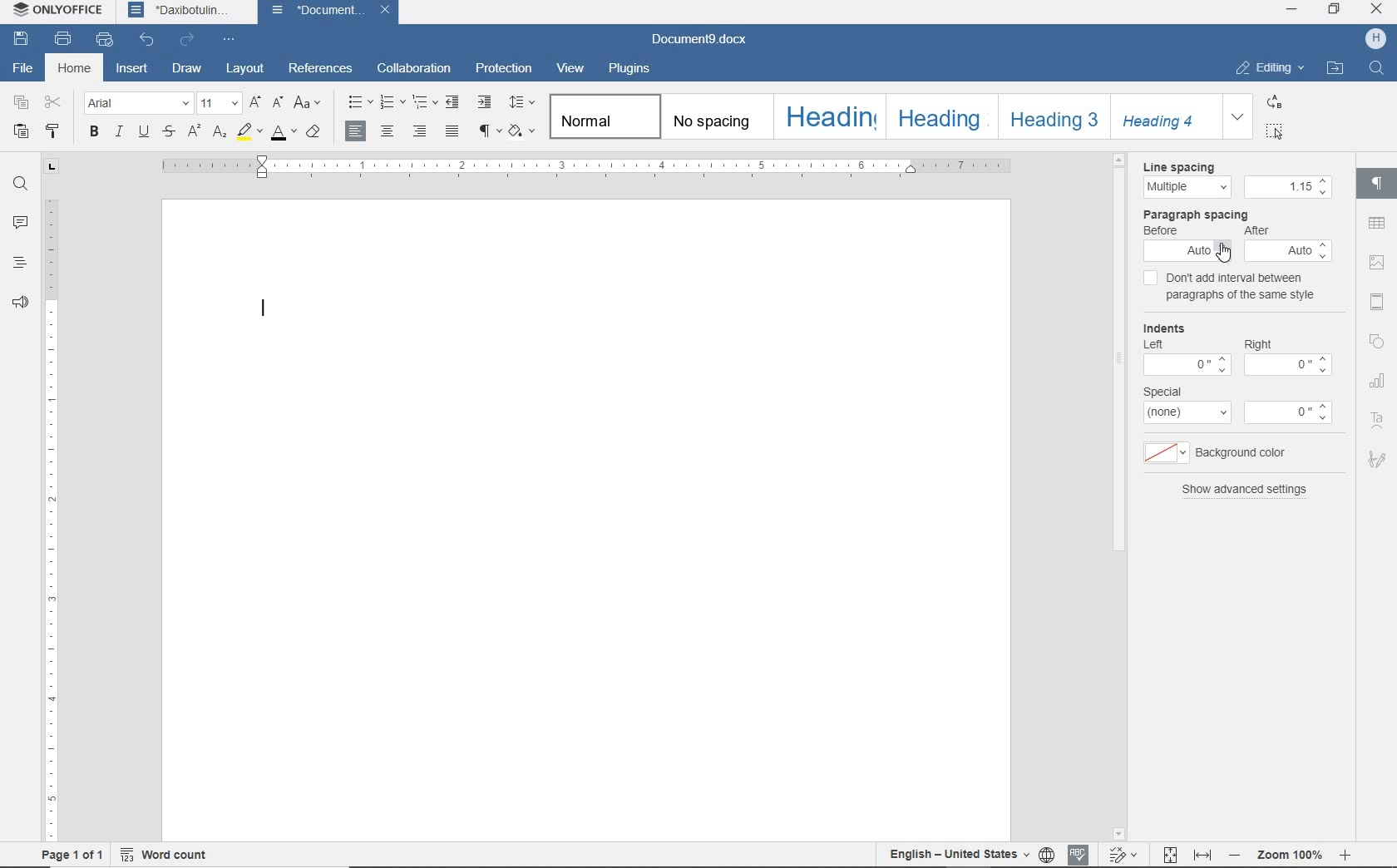 Image resolution: width=1397 pixels, height=868 pixels. What do you see at coordinates (21, 223) in the screenshot?
I see `comments` at bounding box center [21, 223].